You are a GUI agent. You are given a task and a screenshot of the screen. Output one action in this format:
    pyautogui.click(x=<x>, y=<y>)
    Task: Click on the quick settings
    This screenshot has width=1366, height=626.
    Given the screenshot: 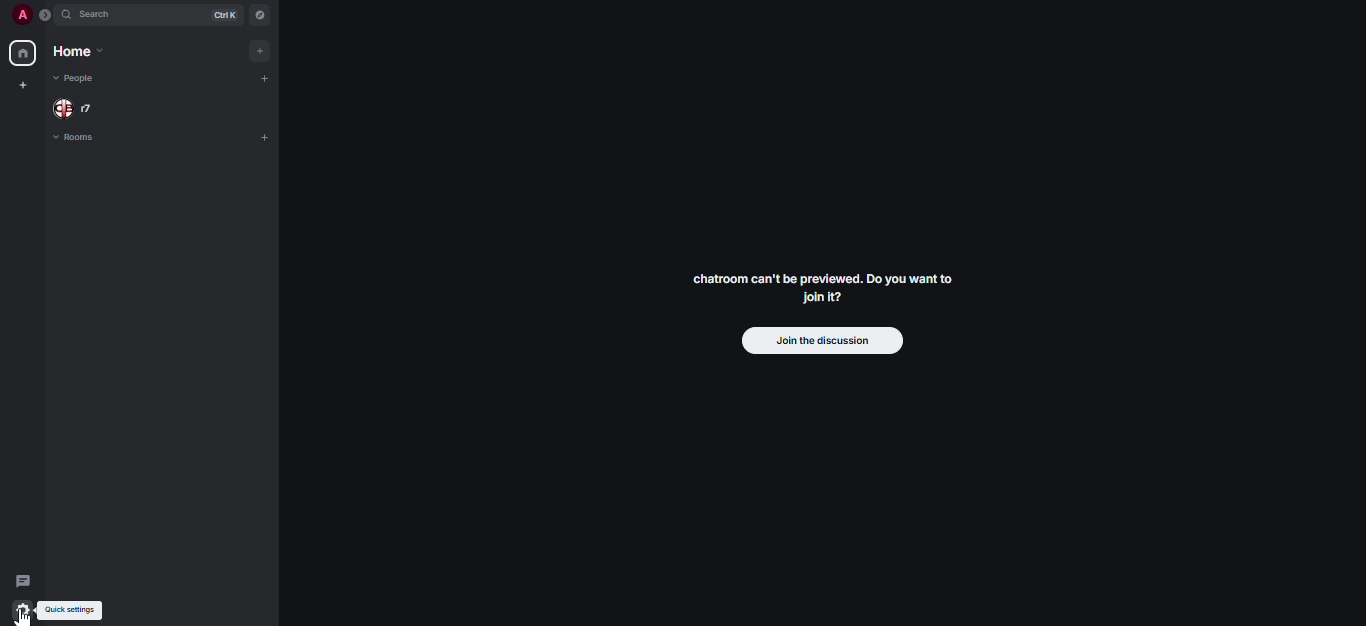 What is the action you would take?
    pyautogui.click(x=67, y=610)
    